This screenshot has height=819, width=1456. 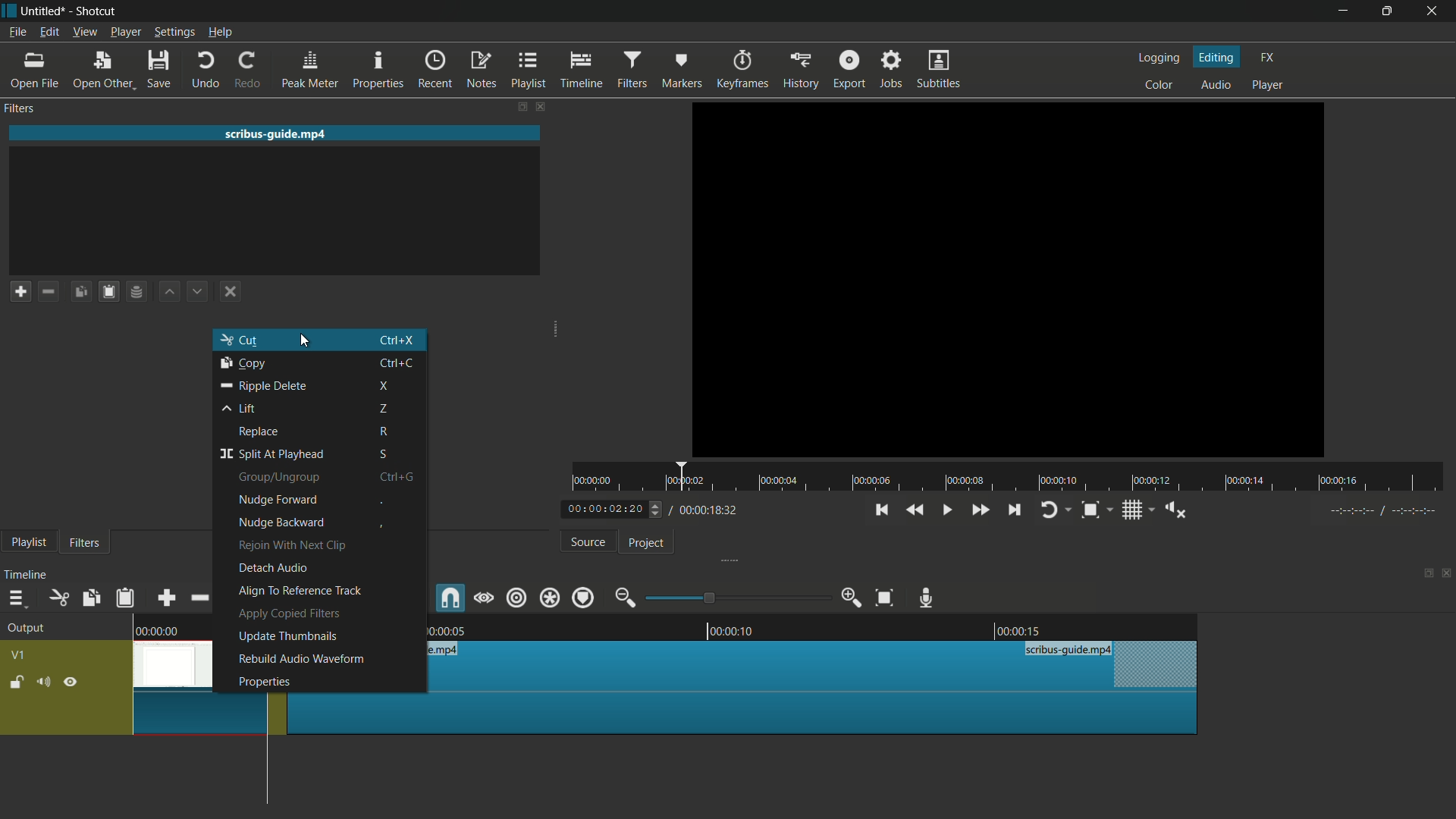 What do you see at coordinates (681, 71) in the screenshot?
I see `markers` at bounding box center [681, 71].